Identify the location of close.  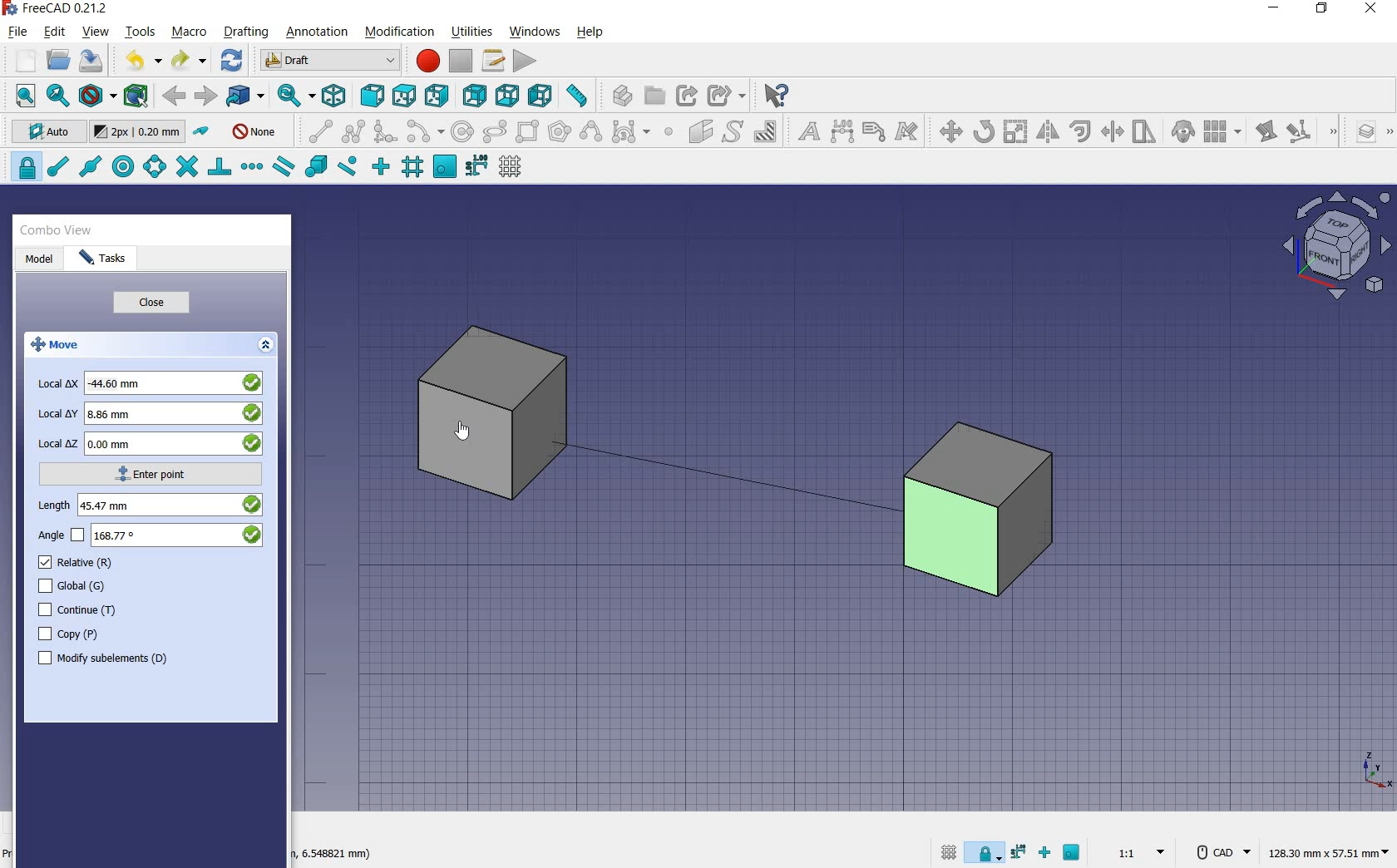
(152, 303).